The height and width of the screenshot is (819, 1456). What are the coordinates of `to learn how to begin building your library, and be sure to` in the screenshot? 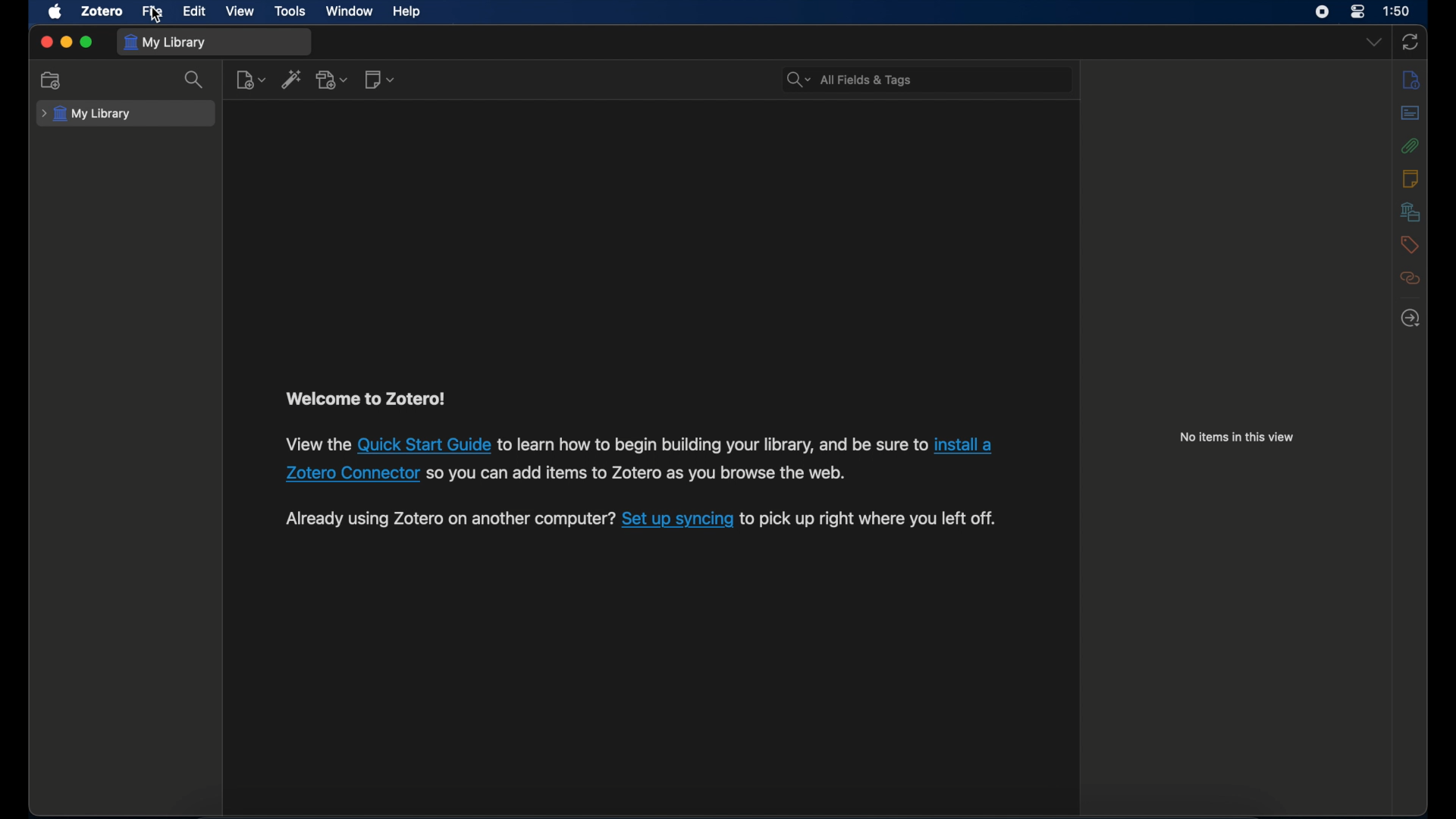 It's located at (713, 444).